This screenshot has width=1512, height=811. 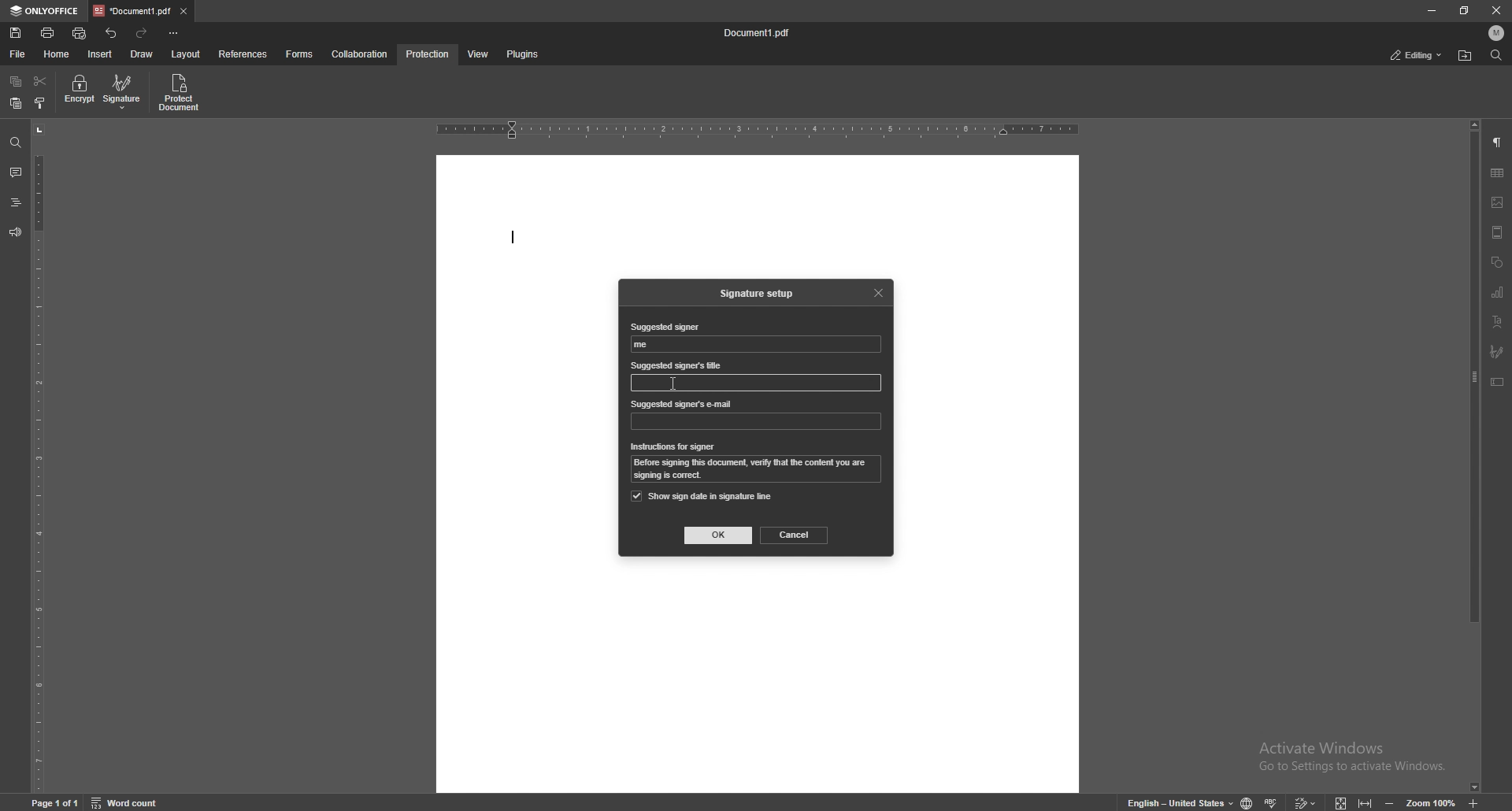 What do you see at coordinates (1303, 801) in the screenshot?
I see `track changes` at bounding box center [1303, 801].